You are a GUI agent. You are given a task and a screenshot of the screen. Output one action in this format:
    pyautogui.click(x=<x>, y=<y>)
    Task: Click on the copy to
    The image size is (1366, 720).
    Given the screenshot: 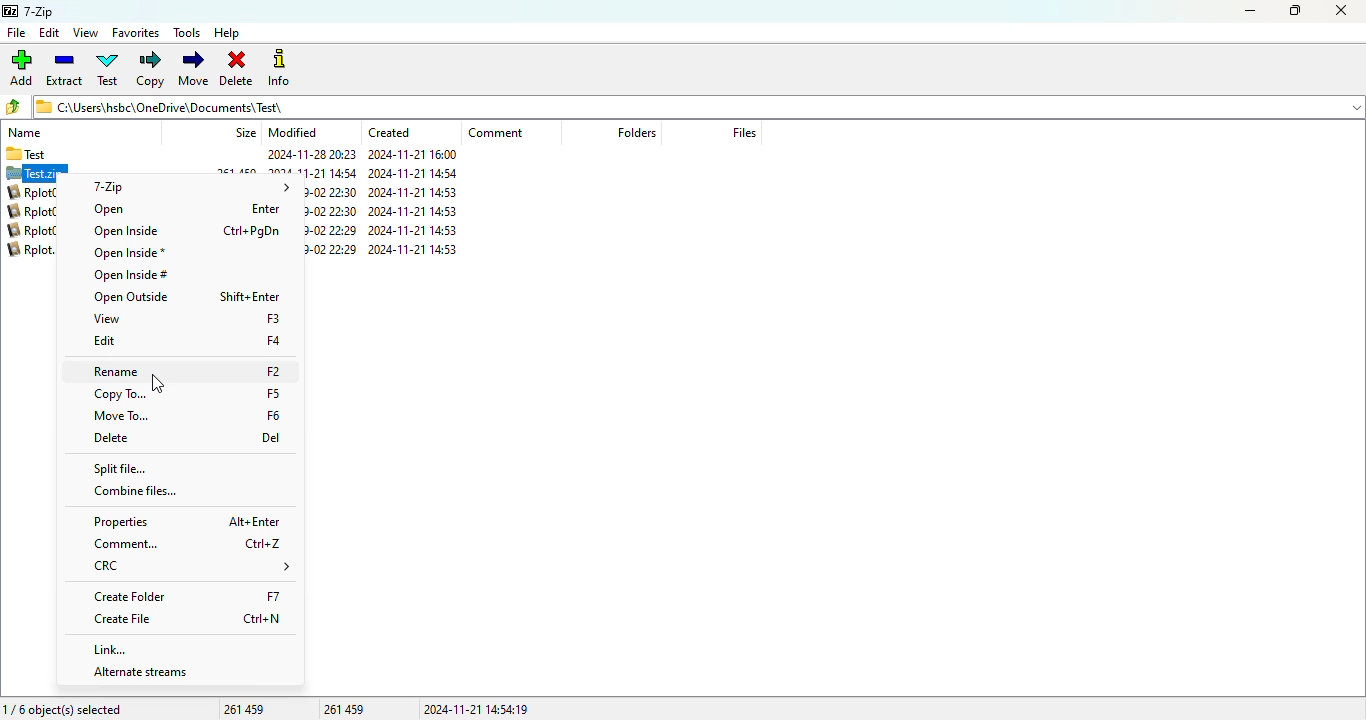 What is the action you would take?
    pyautogui.click(x=121, y=393)
    